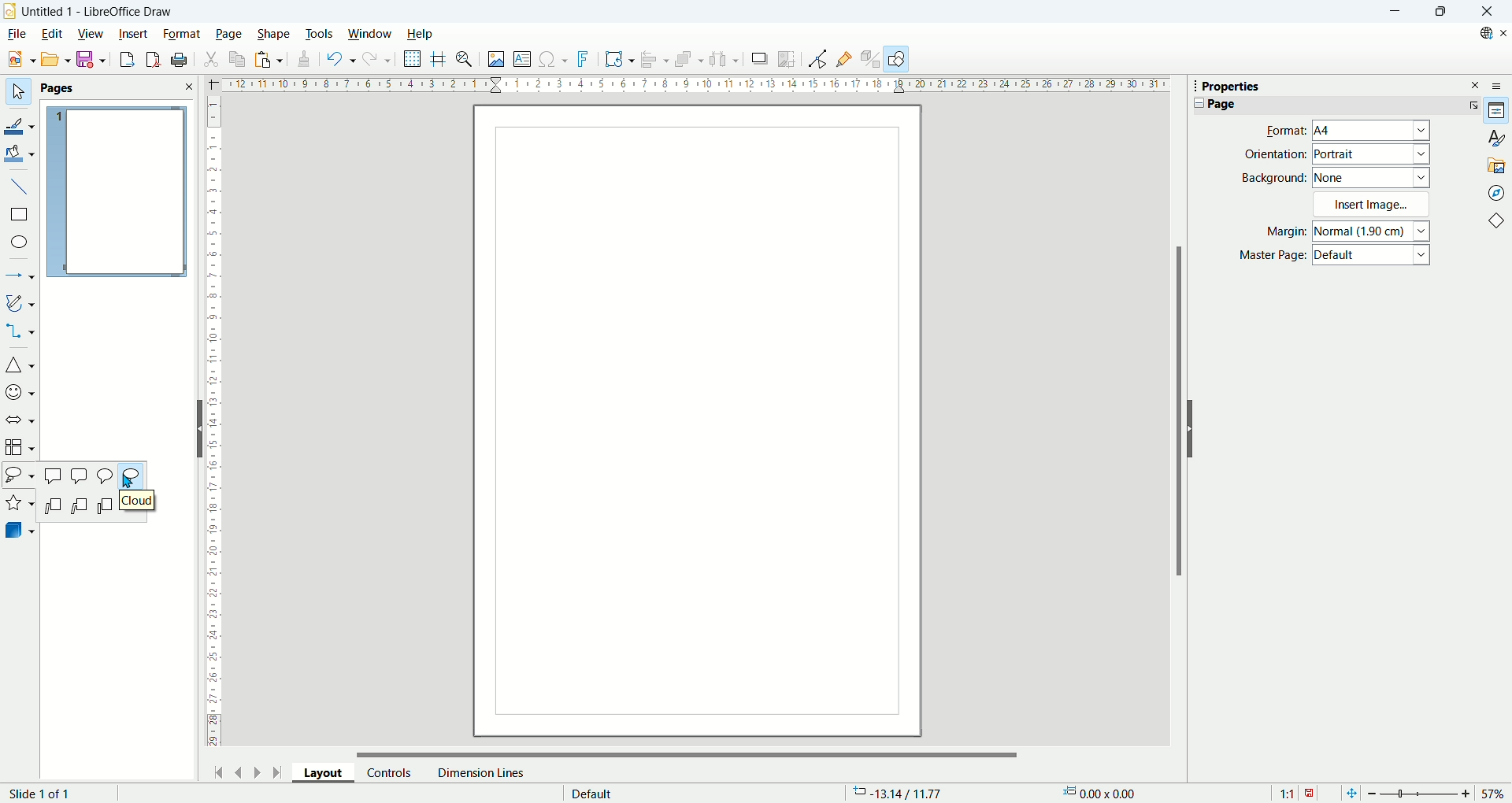  I want to click on Properties, so click(1497, 111).